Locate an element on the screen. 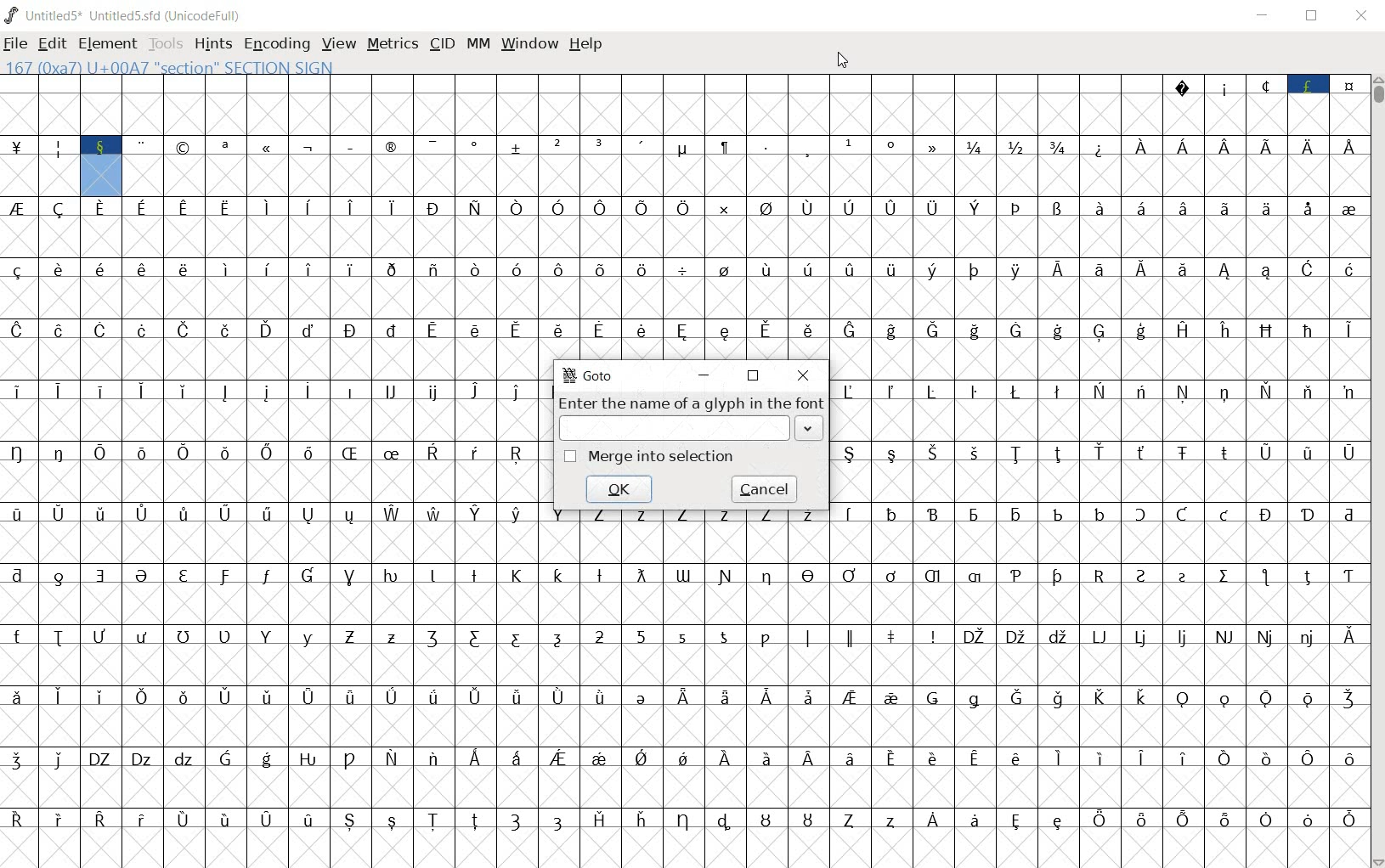 The width and height of the screenshot is (1385, 868). mathematical fractions is located at coordinates (1017, 165).